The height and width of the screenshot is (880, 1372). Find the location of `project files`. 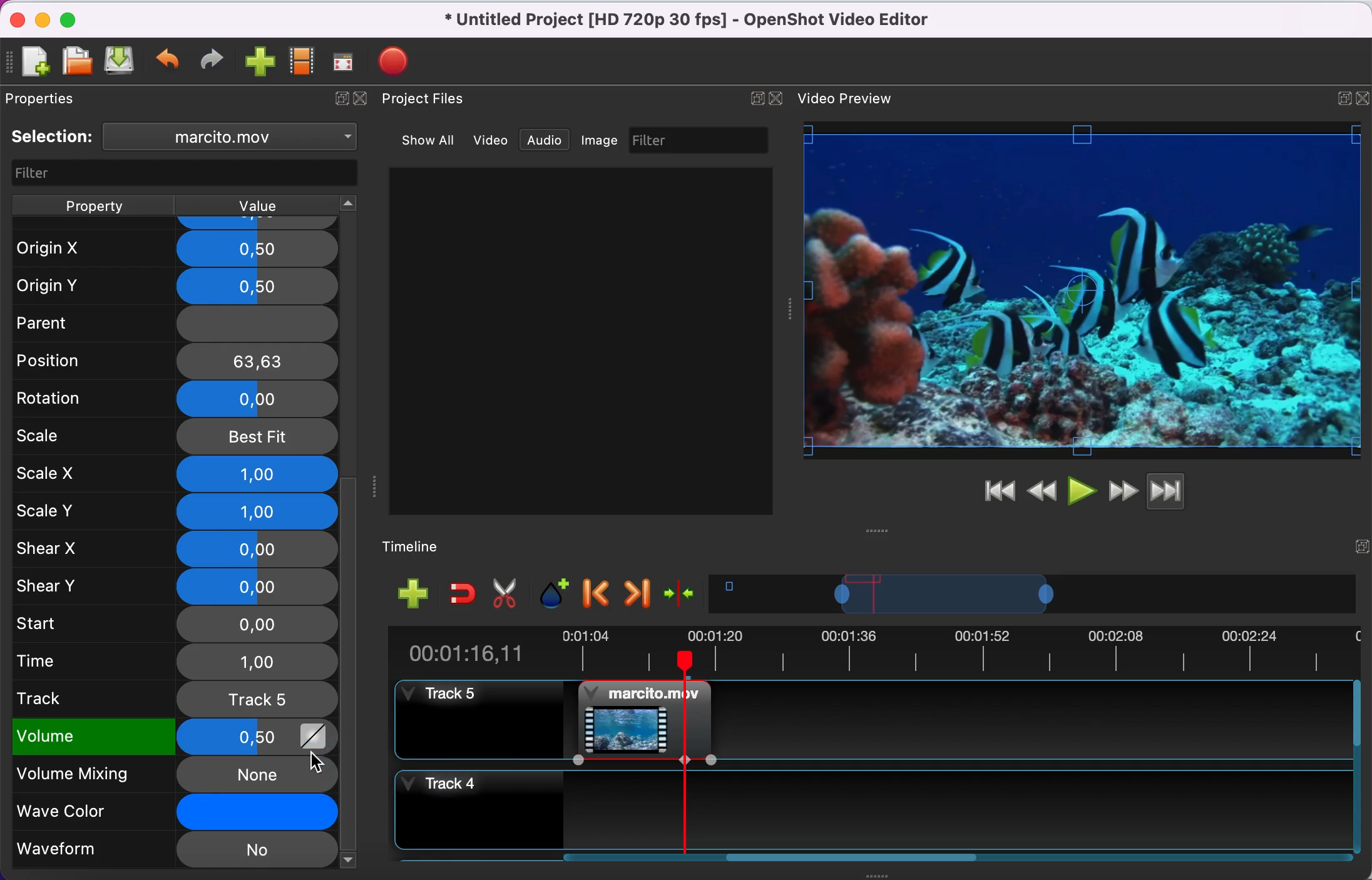

project files is located at coordinates (435, 100).